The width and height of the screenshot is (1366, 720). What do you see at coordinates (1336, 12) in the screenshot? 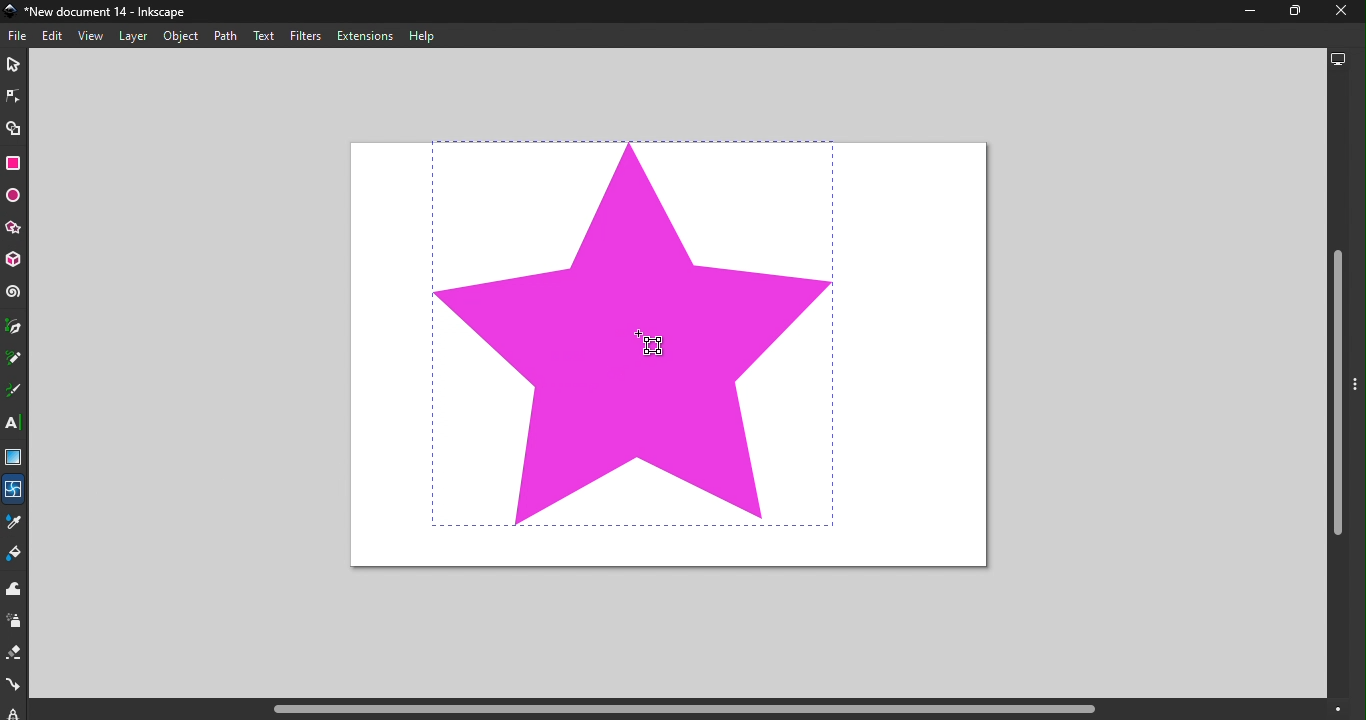
I see `close` at bounding box center [1336, 12].